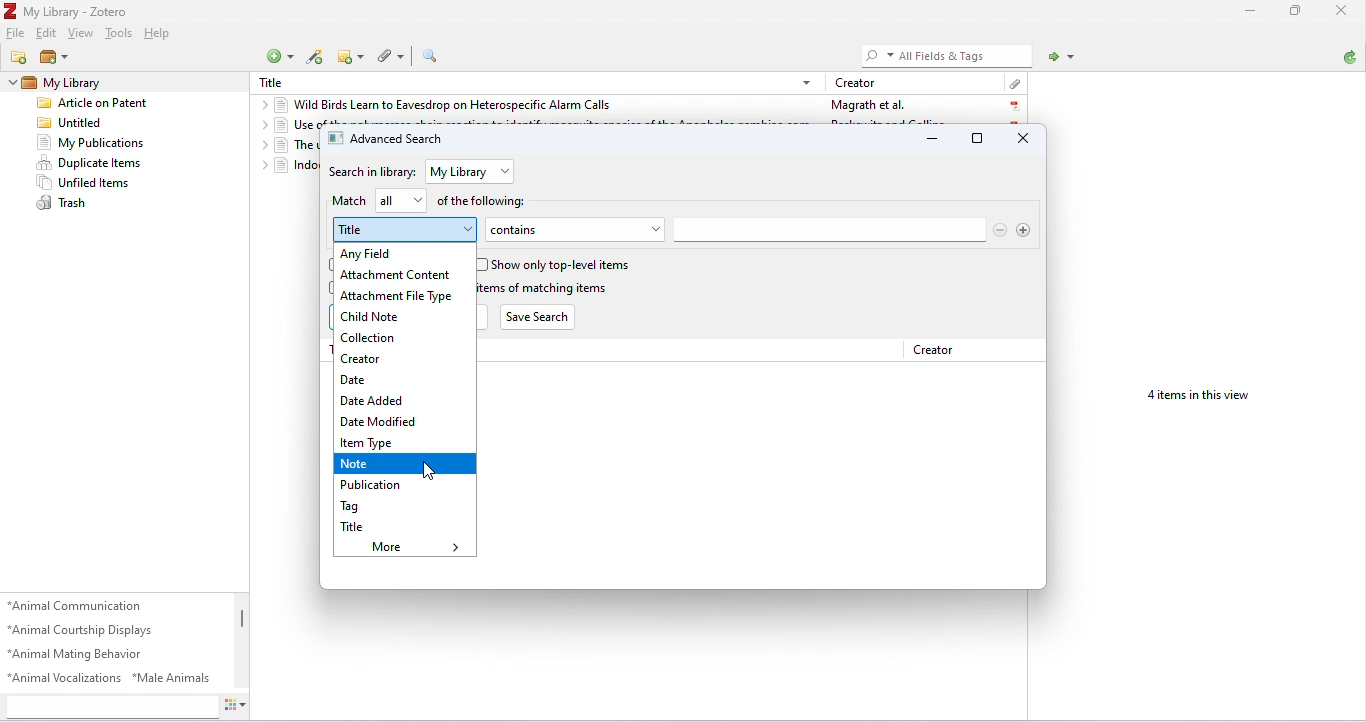  What do you see at coordinates (391, 231) in the screenshot?
I see `title` at bounding box center [391, 231].